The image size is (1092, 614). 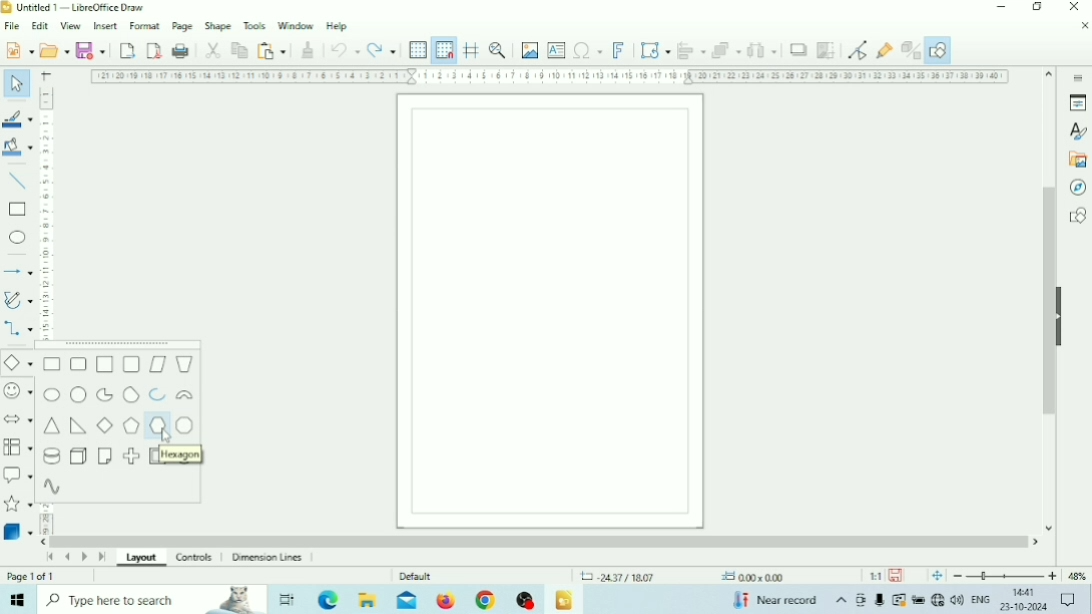 I want to click on Page, so click(x=183, y=25).